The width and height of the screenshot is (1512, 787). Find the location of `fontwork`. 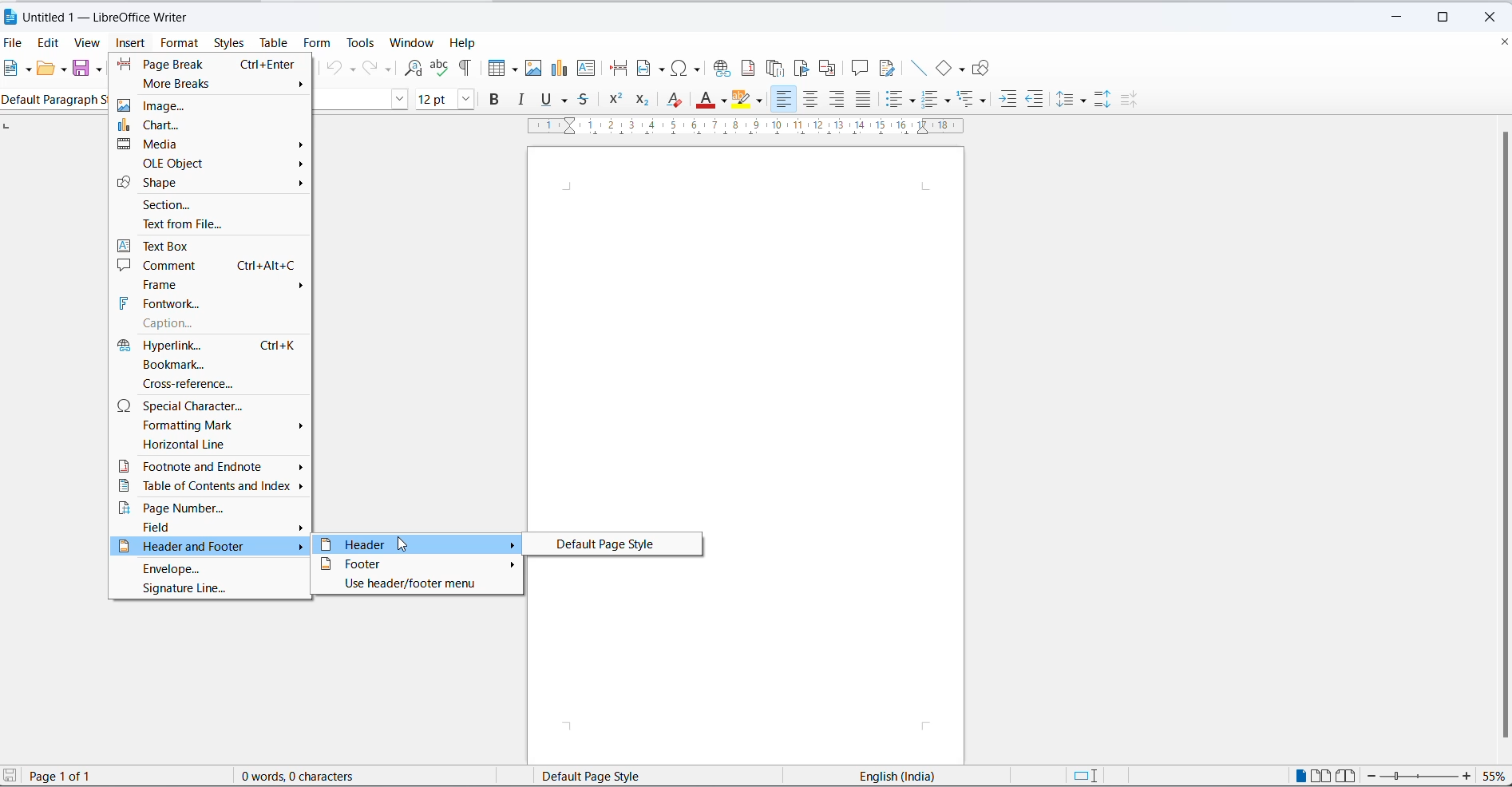

fontwork is located at coordinates (212, 305).